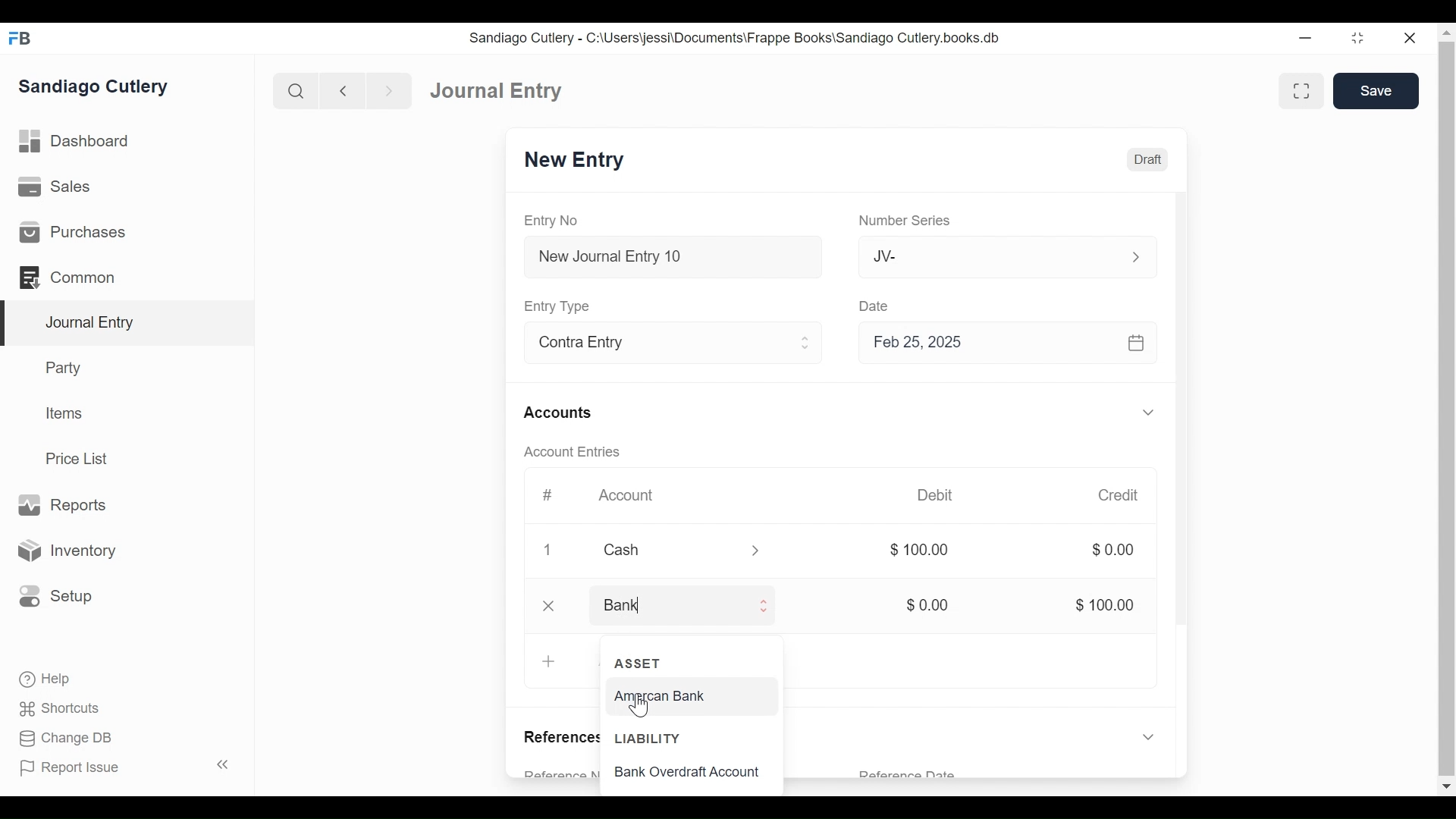 This screenshot has width=1456, height=819. Describe the element at coordinates (1301, 88) in the screenshot. I see `Toggle between form and full width` at that location.